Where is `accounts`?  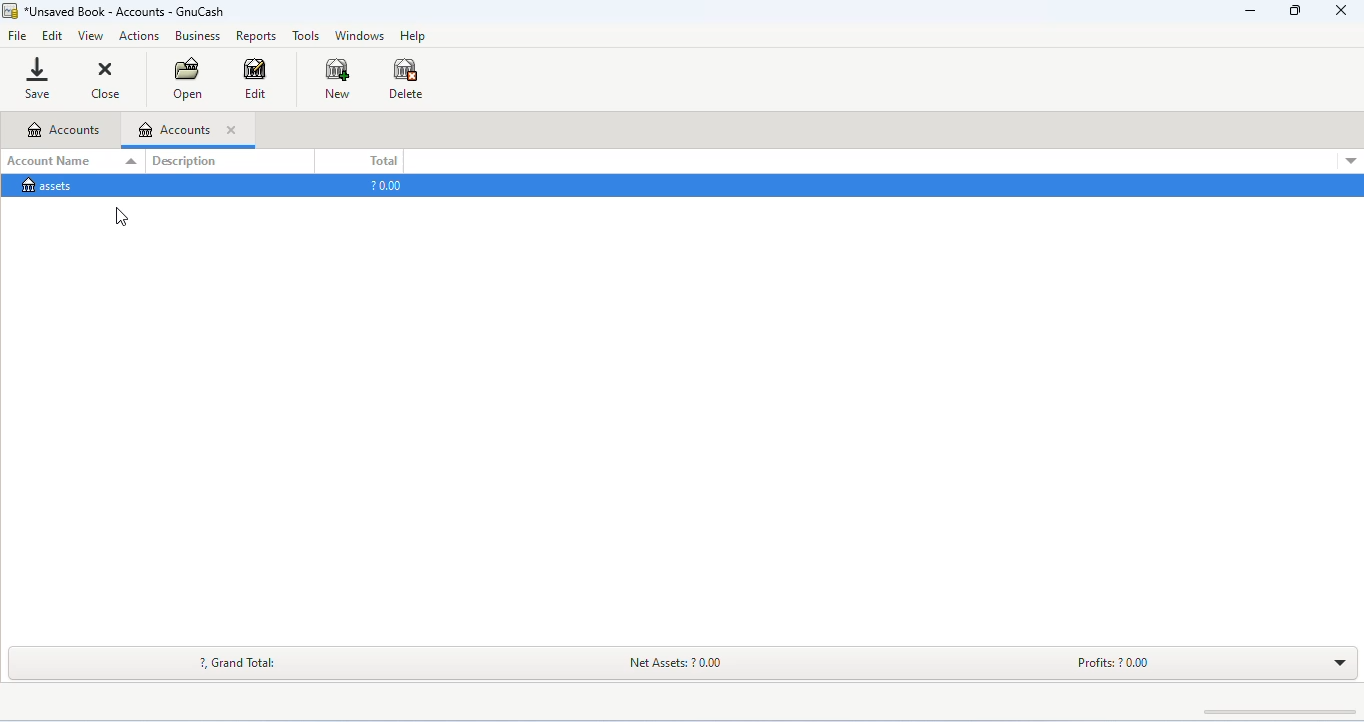
accounts is located at coordinates (59, 131).